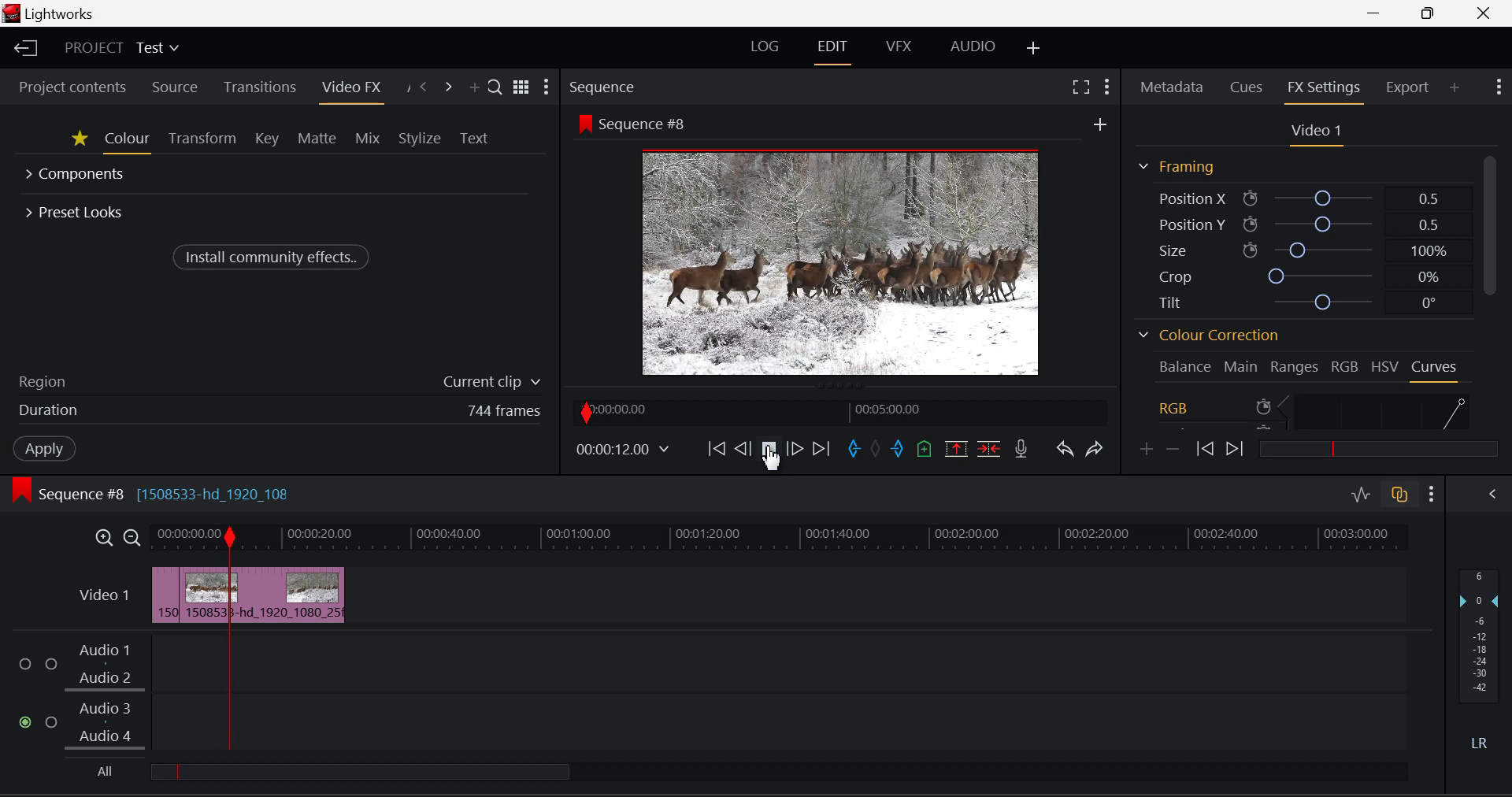 This screenshot has width=1512, height=797. Describe the element at coordinates (718, 450) in the screenshot. I see `To Start` at that location.